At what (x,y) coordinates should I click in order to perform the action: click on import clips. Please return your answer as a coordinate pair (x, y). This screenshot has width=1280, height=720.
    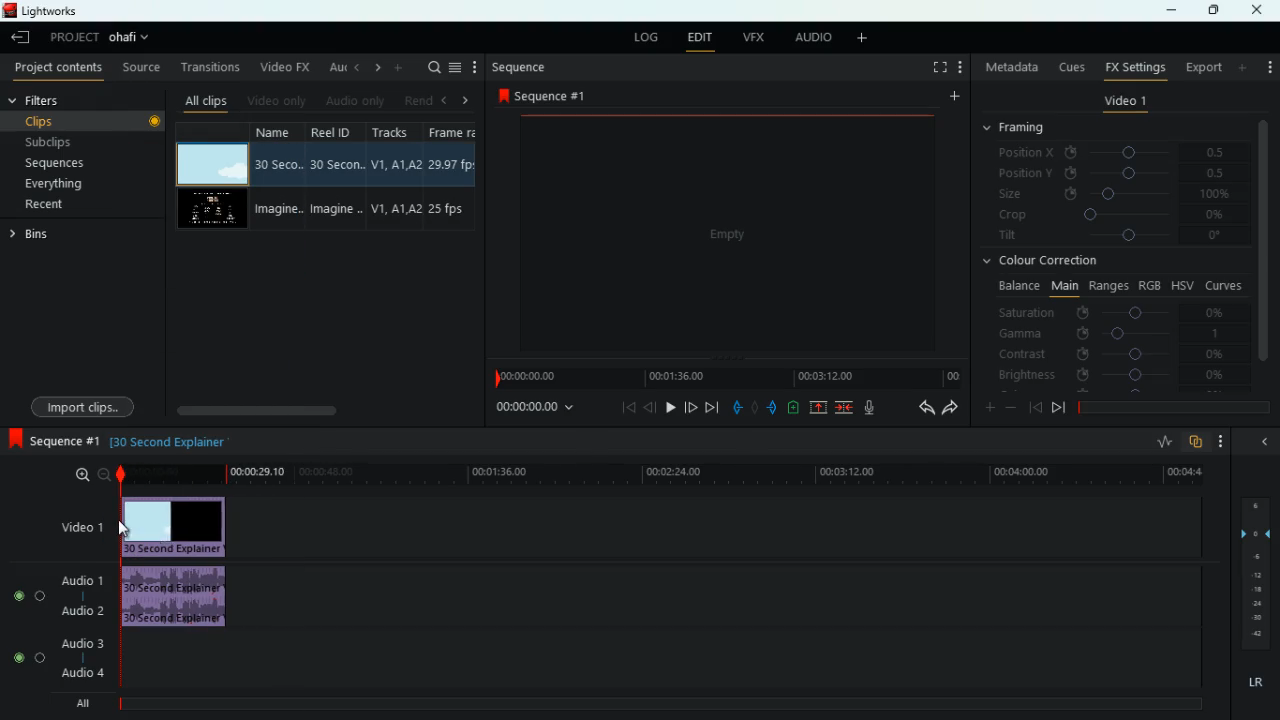
    Looking at the image, I should click on (86, 404).